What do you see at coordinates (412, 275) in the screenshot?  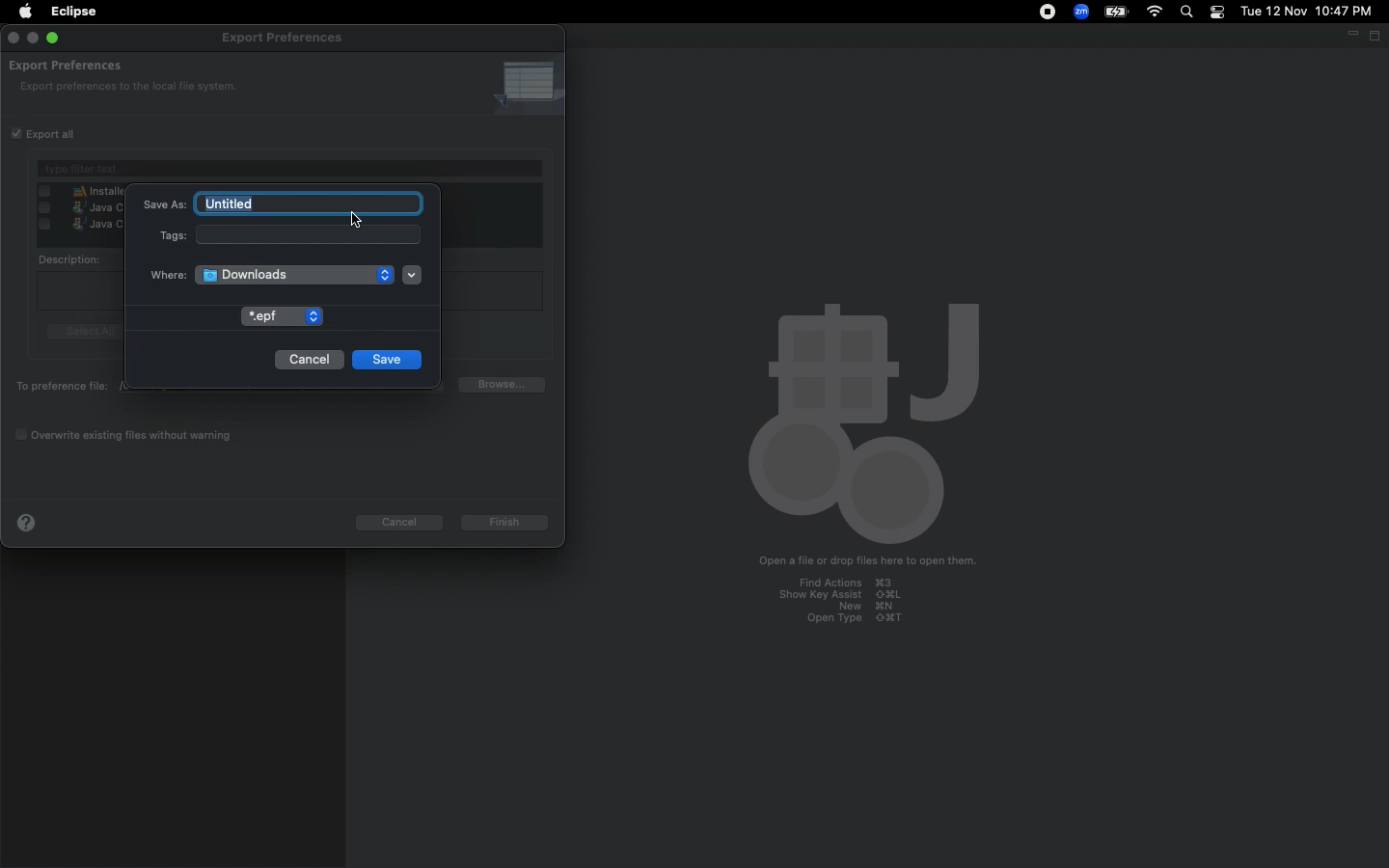 I see `Drop down` at bounding box center [412, 275].